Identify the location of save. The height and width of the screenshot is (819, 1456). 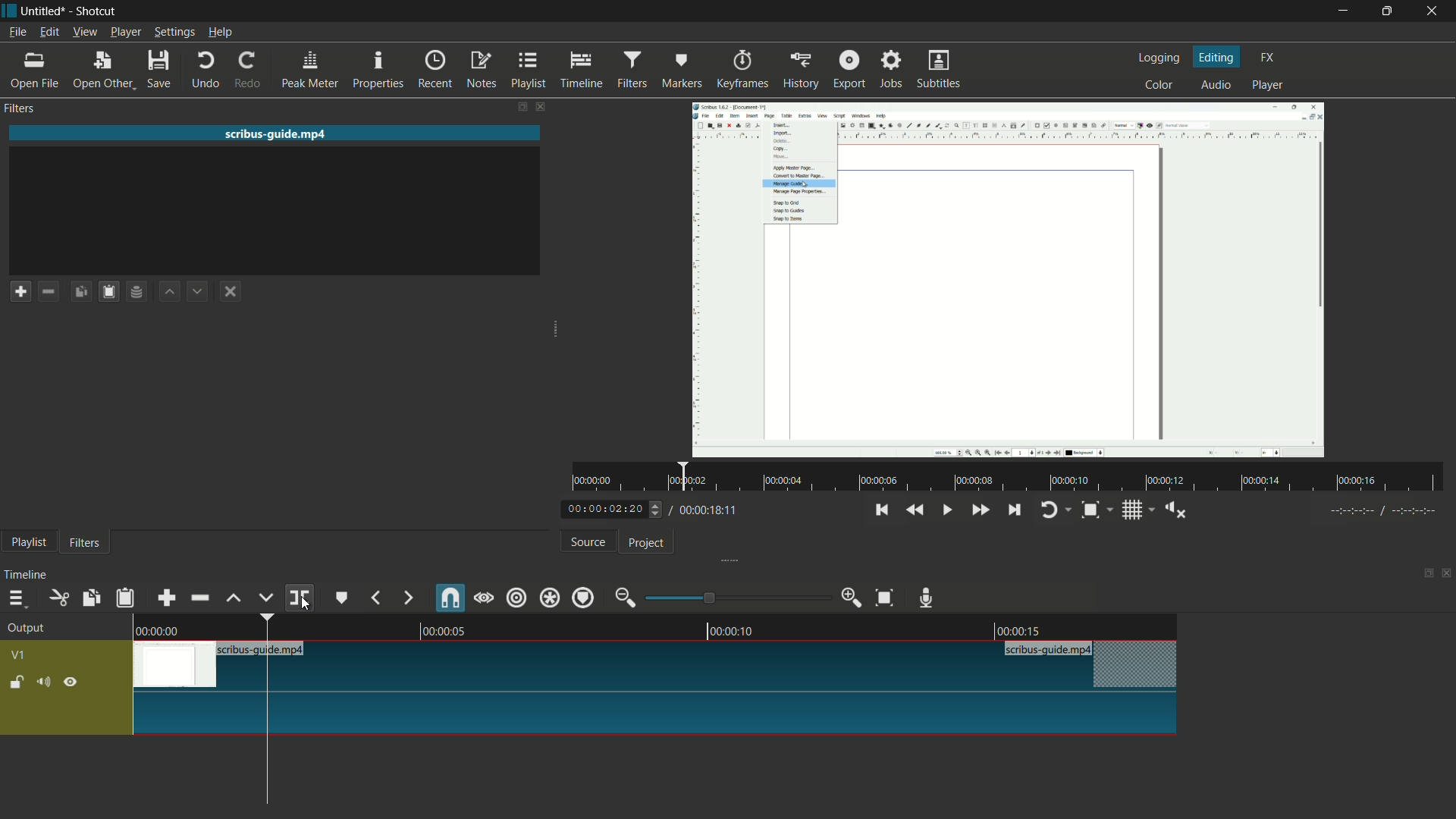
(158, 68).